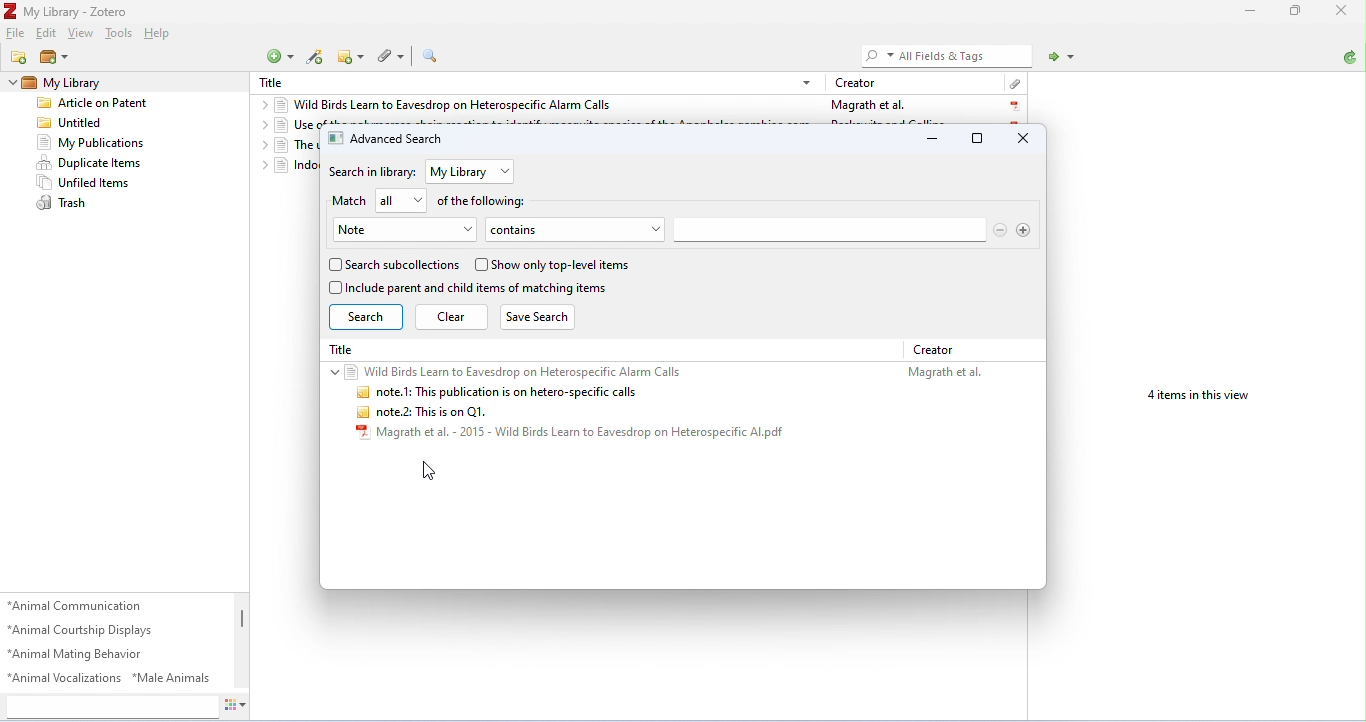 This screenshot has height=722, width=1366. Describe the element at coordinates (110, 705) in the screenshot. I see `search tags` at that location.